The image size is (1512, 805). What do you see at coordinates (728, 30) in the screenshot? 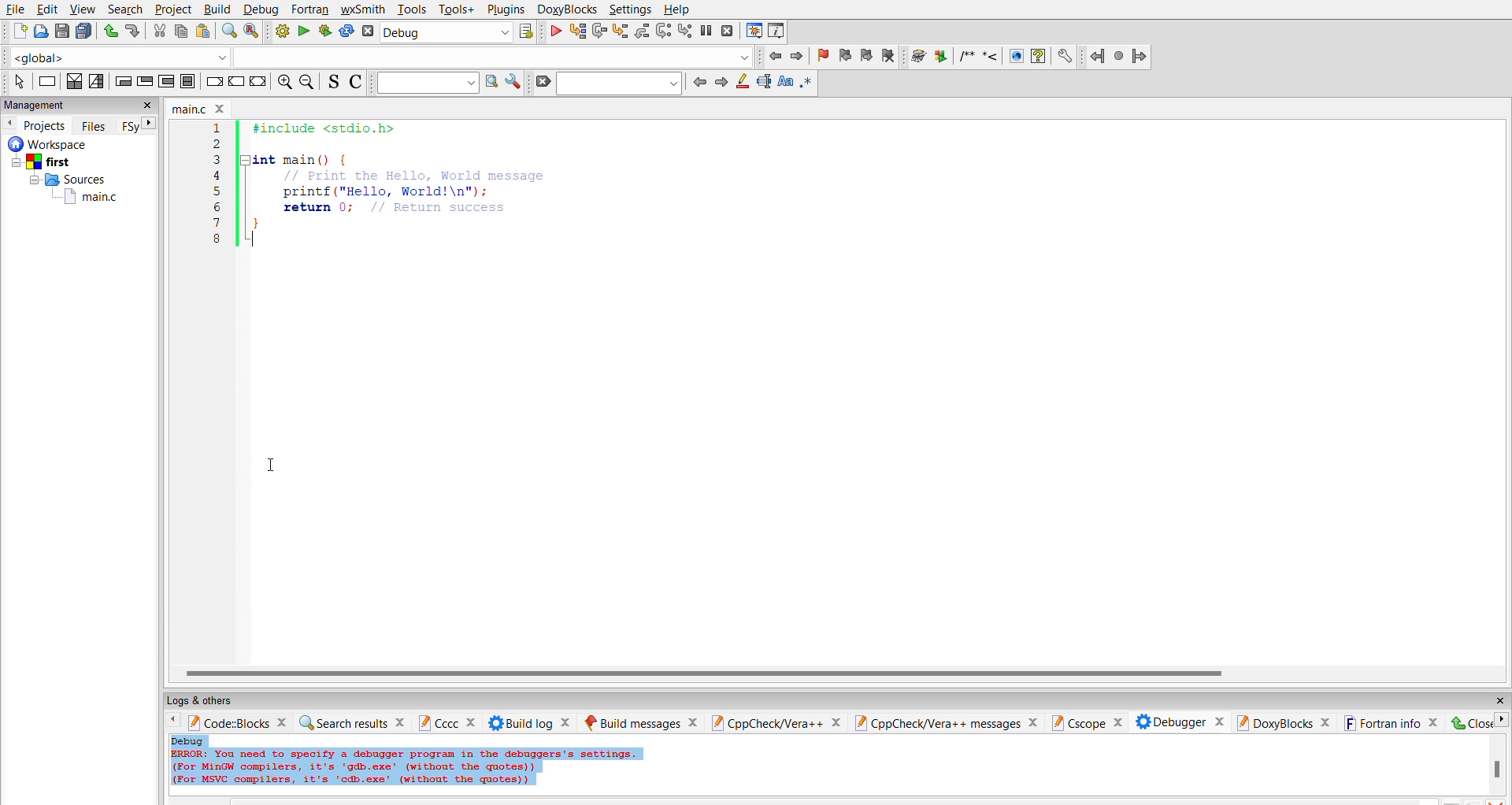
I see `stop debugger` at bounding box center [728, 30].